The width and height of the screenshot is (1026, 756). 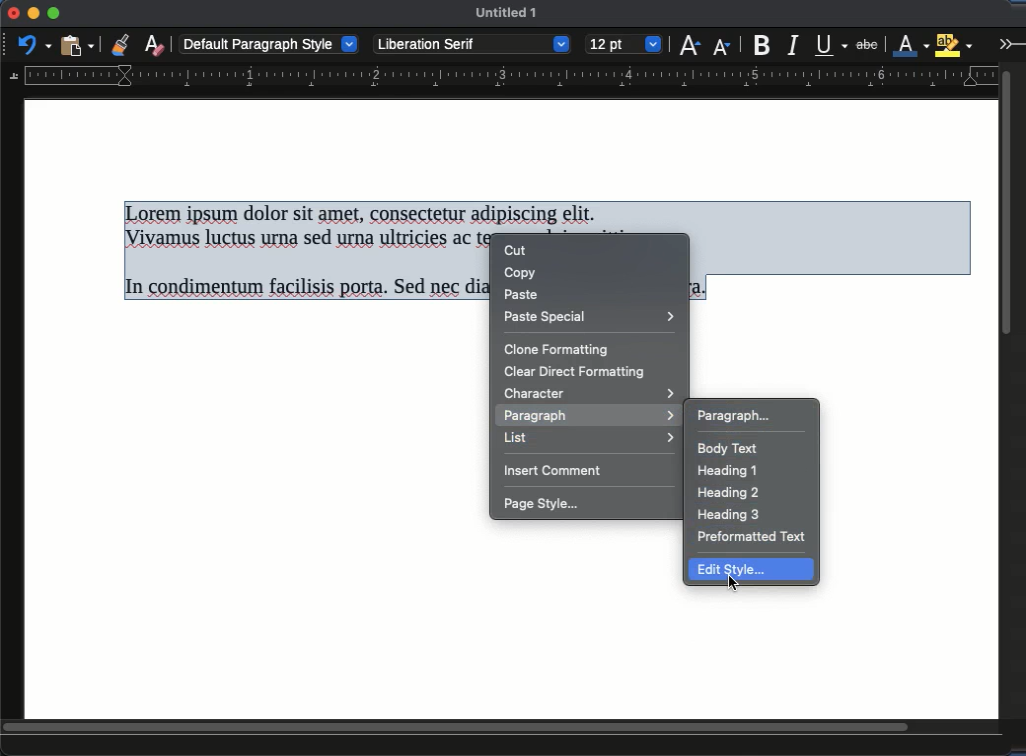 What do you see at coordinates (545, 506) in the screenshot?
I see `page style ` at bounding box center [545, 506].